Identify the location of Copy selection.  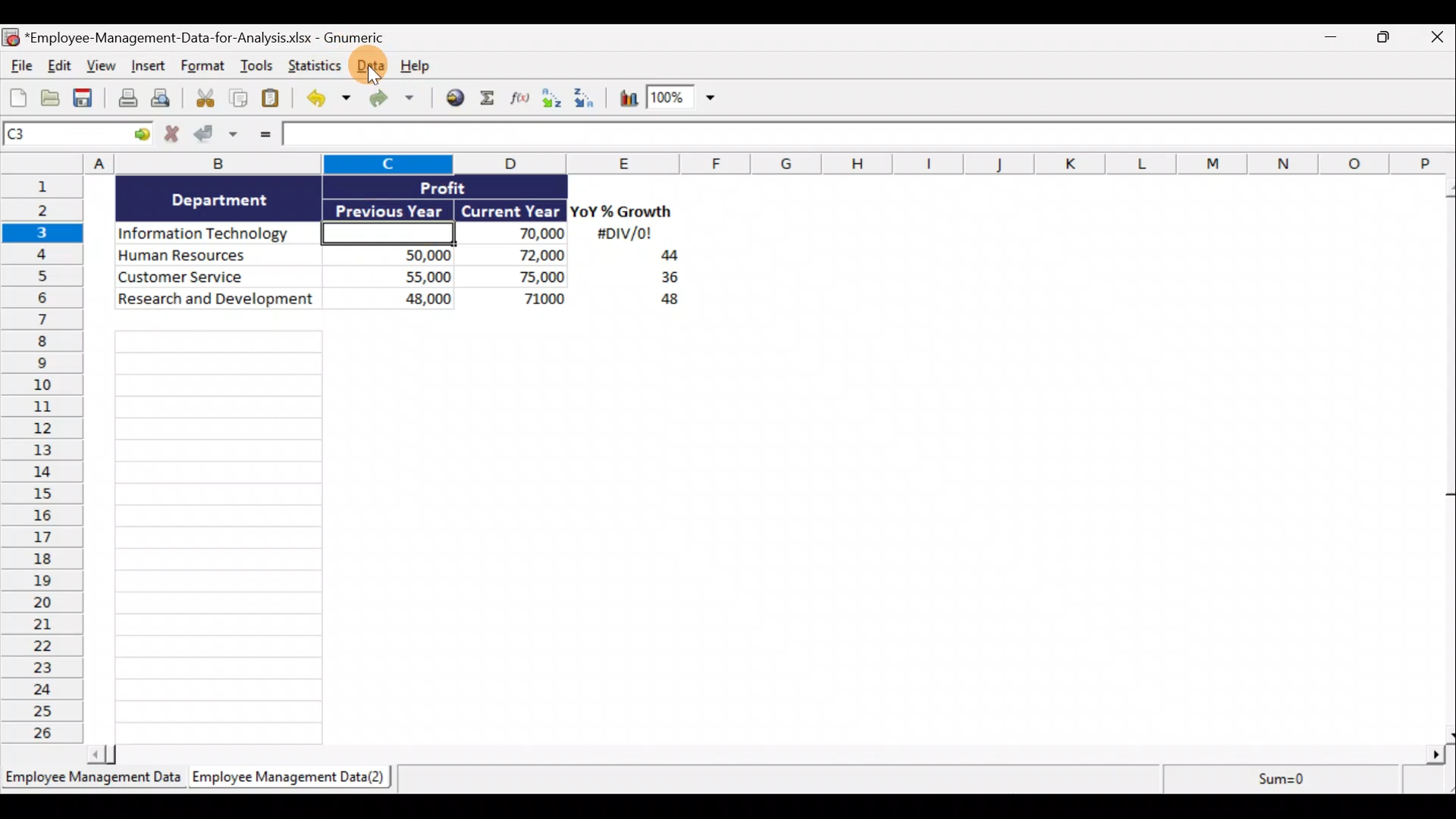
(239, 99).